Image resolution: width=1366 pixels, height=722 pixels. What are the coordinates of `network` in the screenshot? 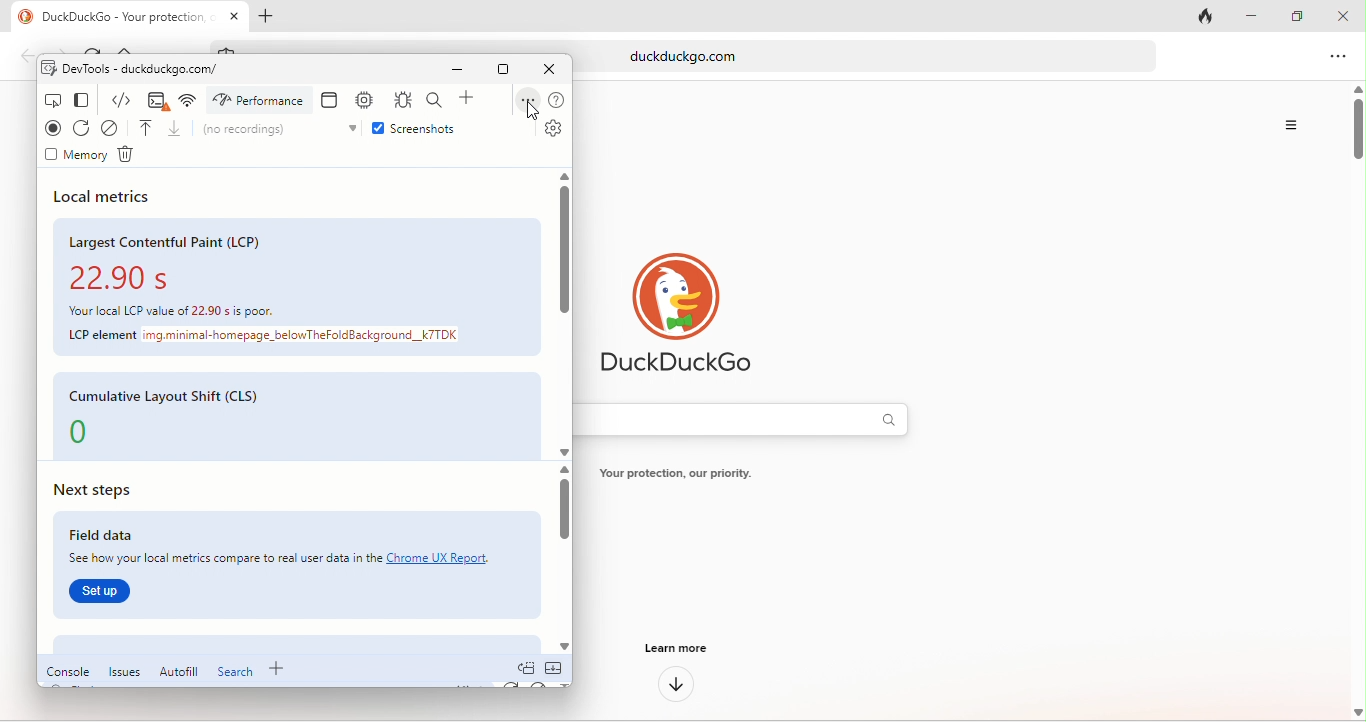 It's located at (193, 98).